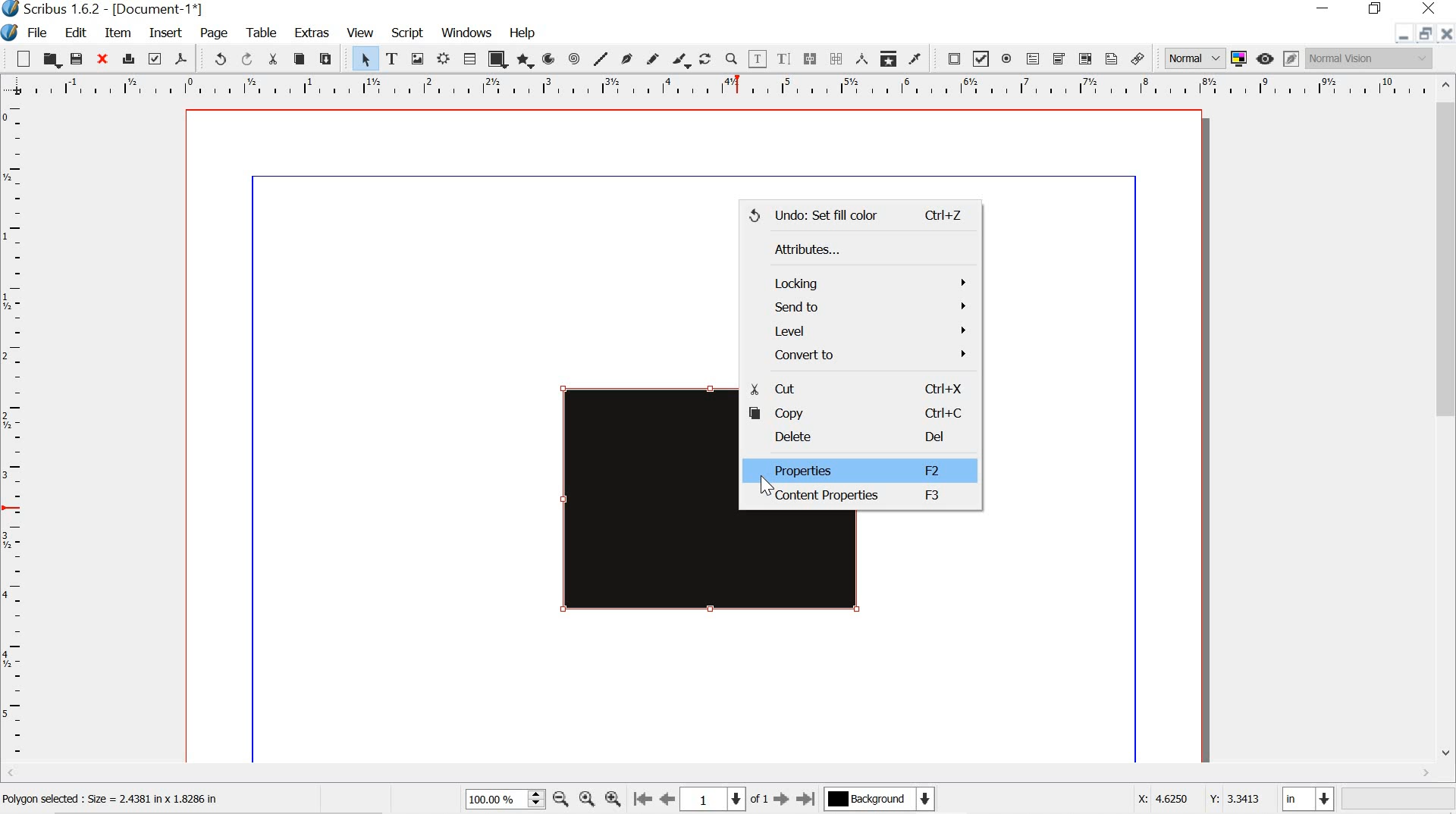 The width and height of the screenshot is (1456, 814). I want to click on normal, so click(1195, 58).